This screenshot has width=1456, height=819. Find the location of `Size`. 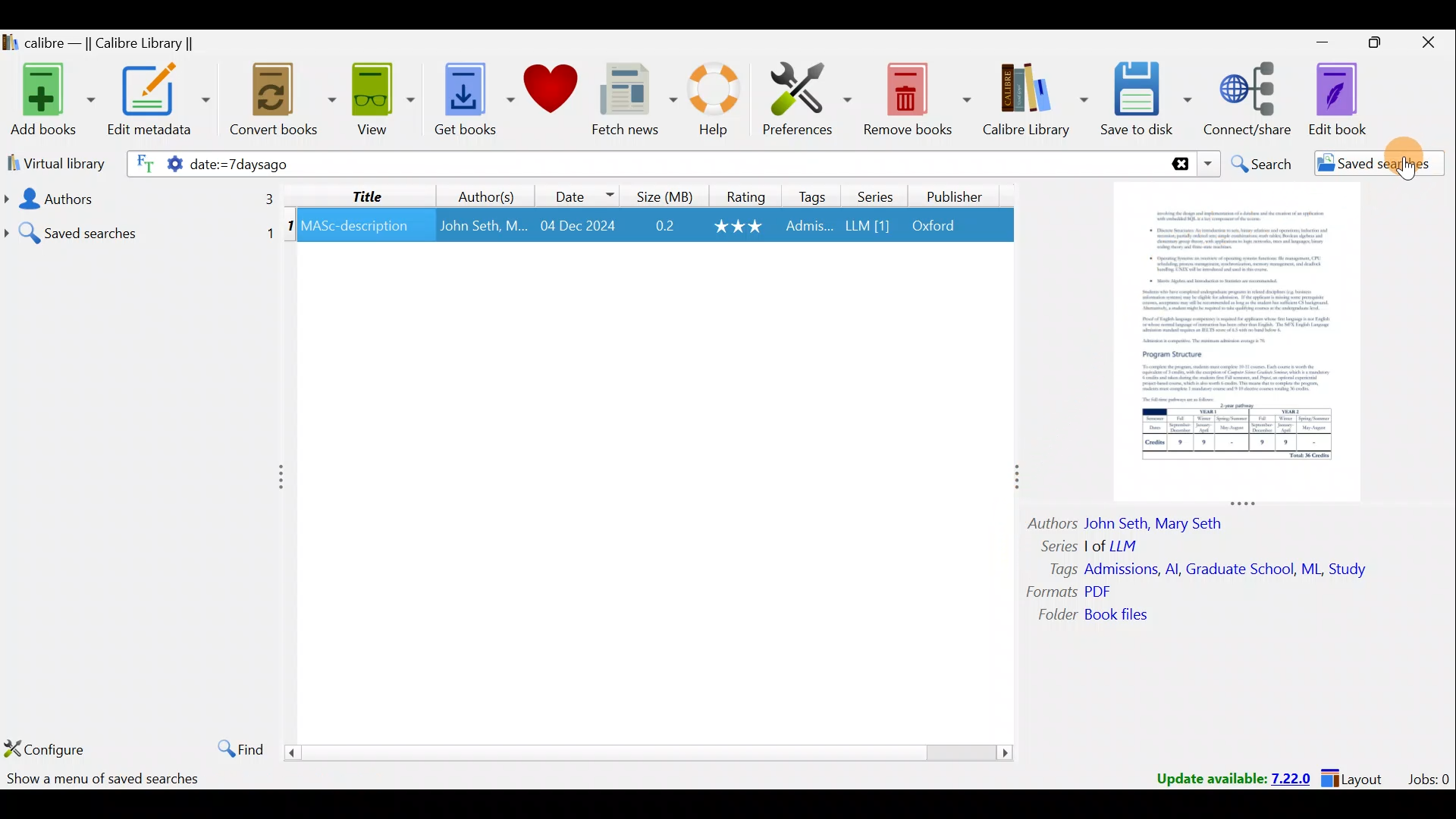

Size is located at coordinates (661, 195).